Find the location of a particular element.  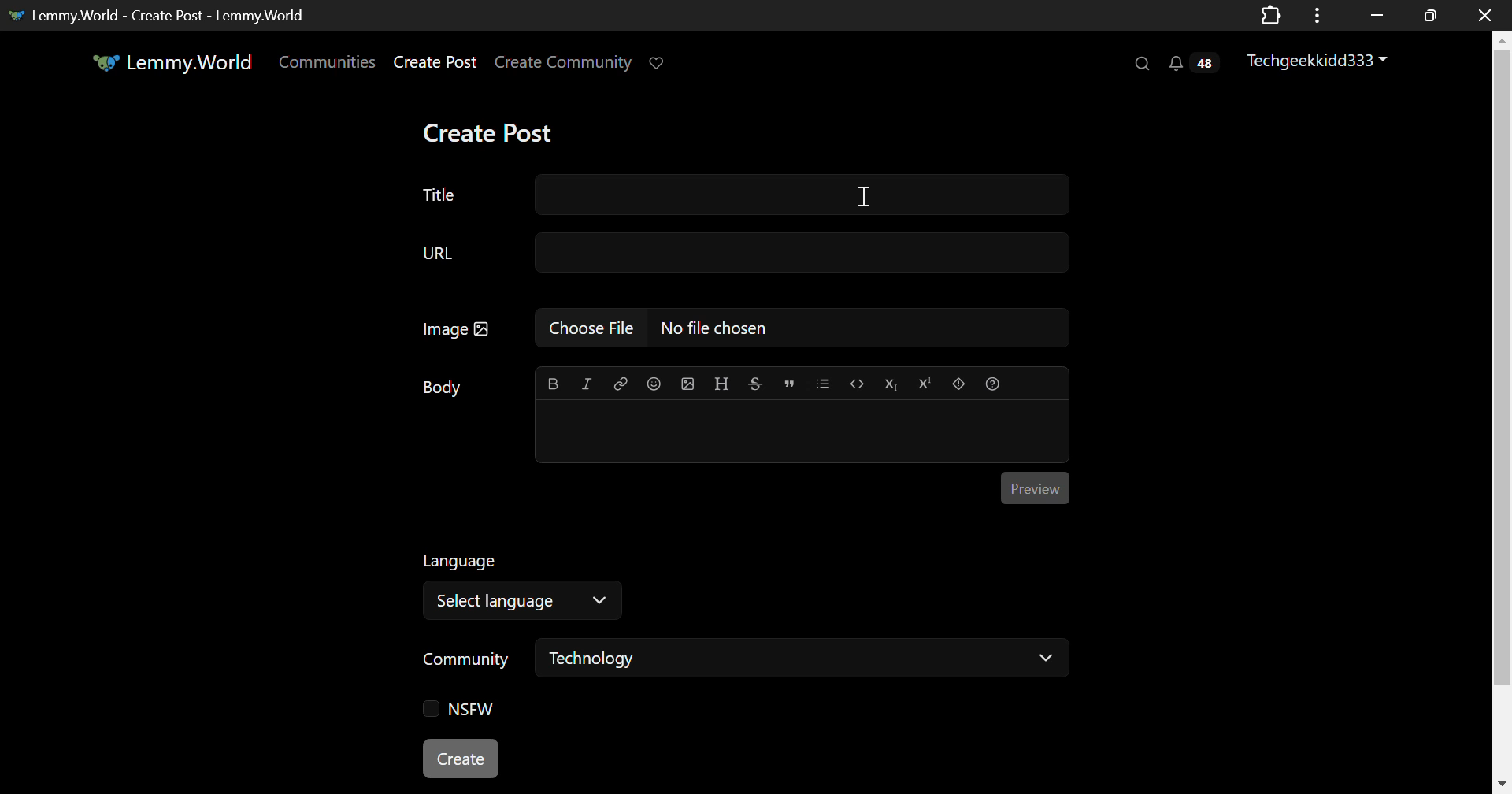

Language is located at coordinates (459, 559).